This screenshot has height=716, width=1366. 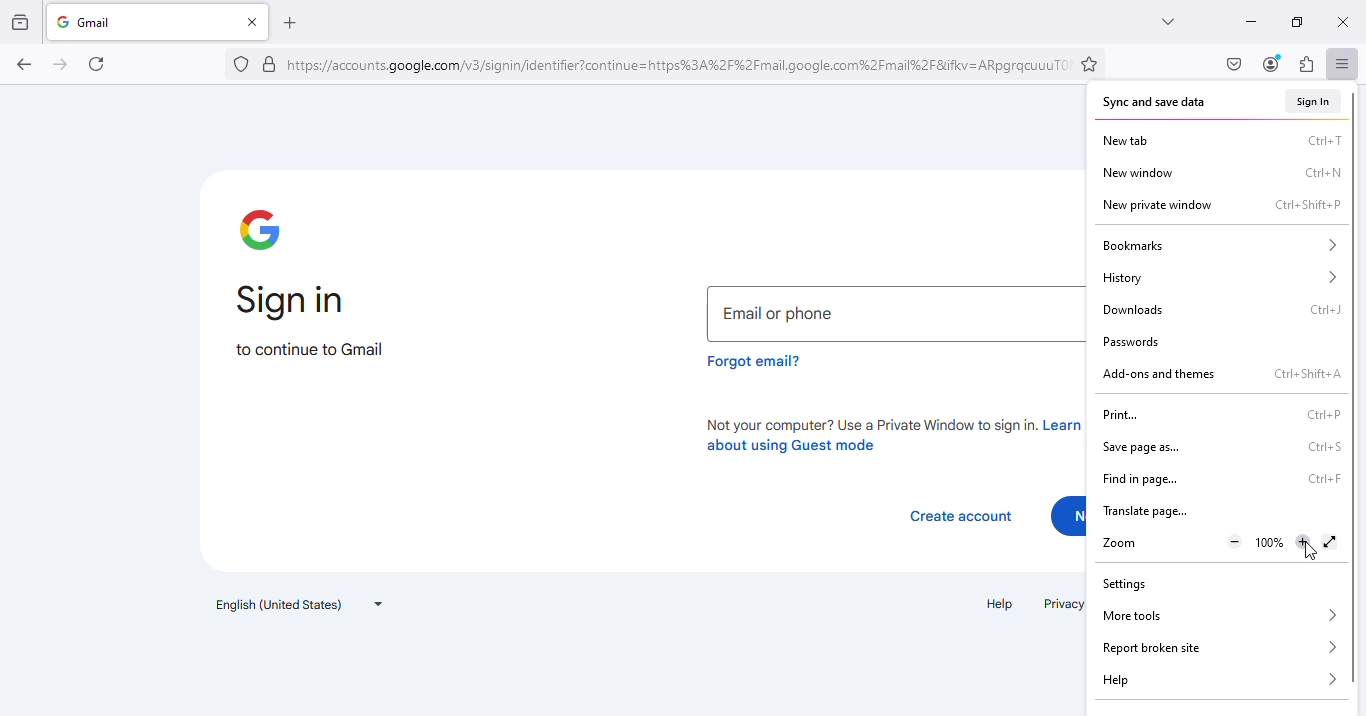 What do you see at coordinates (1219, 647) in the screenshot?
I see `report broken site` at bounding box center [1219, 647].